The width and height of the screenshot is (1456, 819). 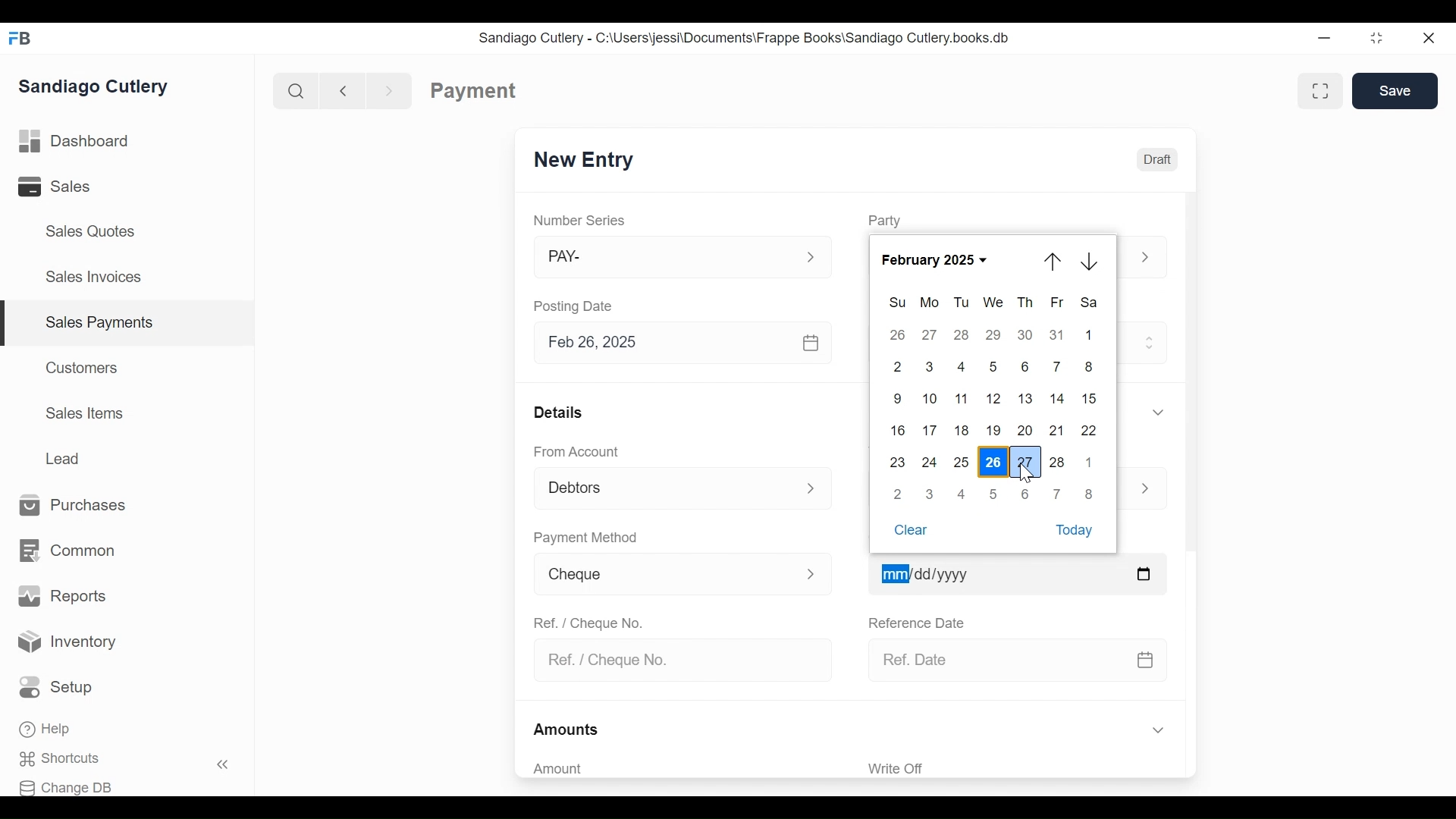 I want to click on Sales Invoices, so click(x=93, y=278).